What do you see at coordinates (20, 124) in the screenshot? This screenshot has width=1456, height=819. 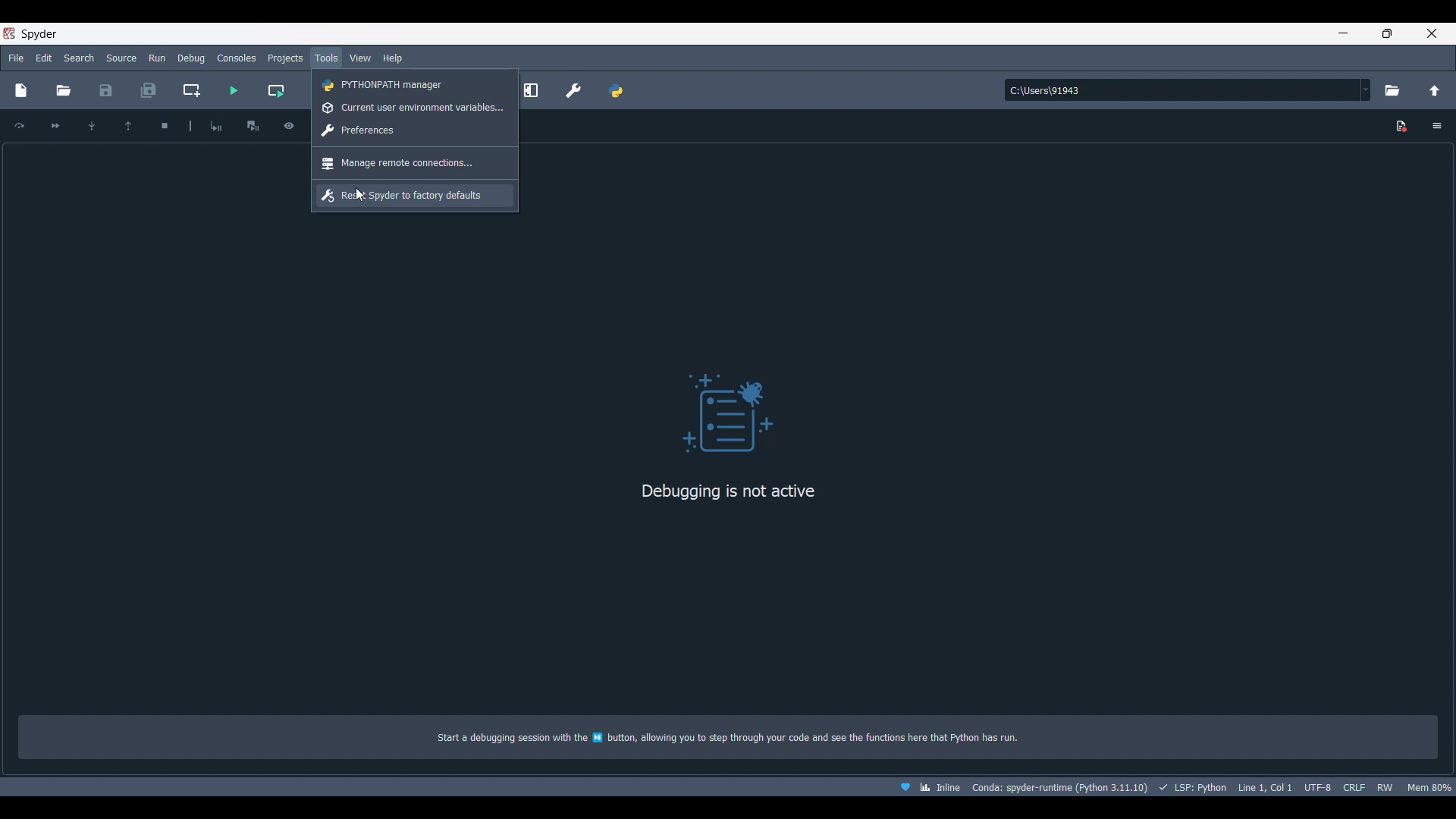 I see `reload` at bounding box center [20, 124].